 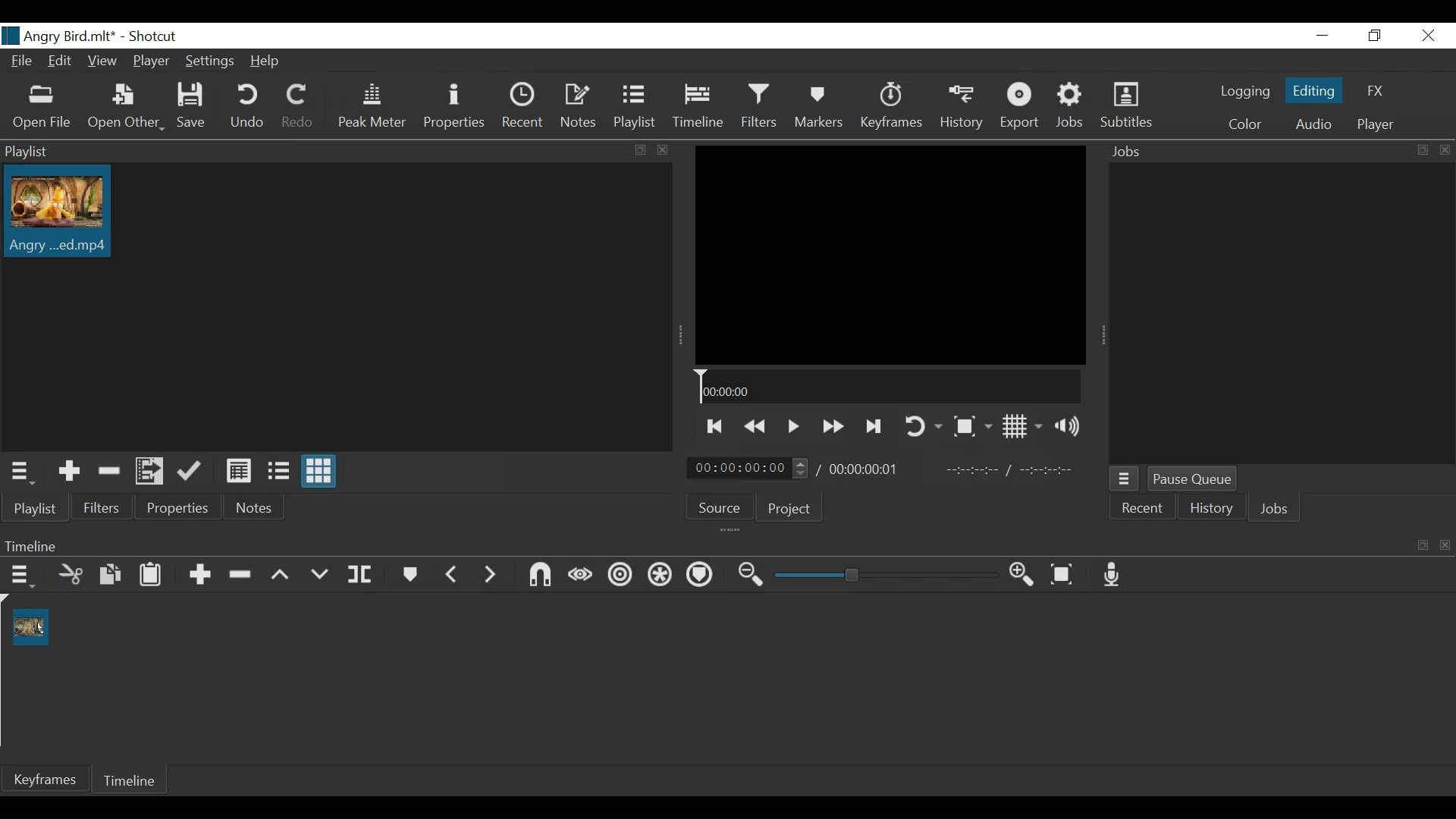 I want to click on Play quickly forward, so click(x=830, y=427).